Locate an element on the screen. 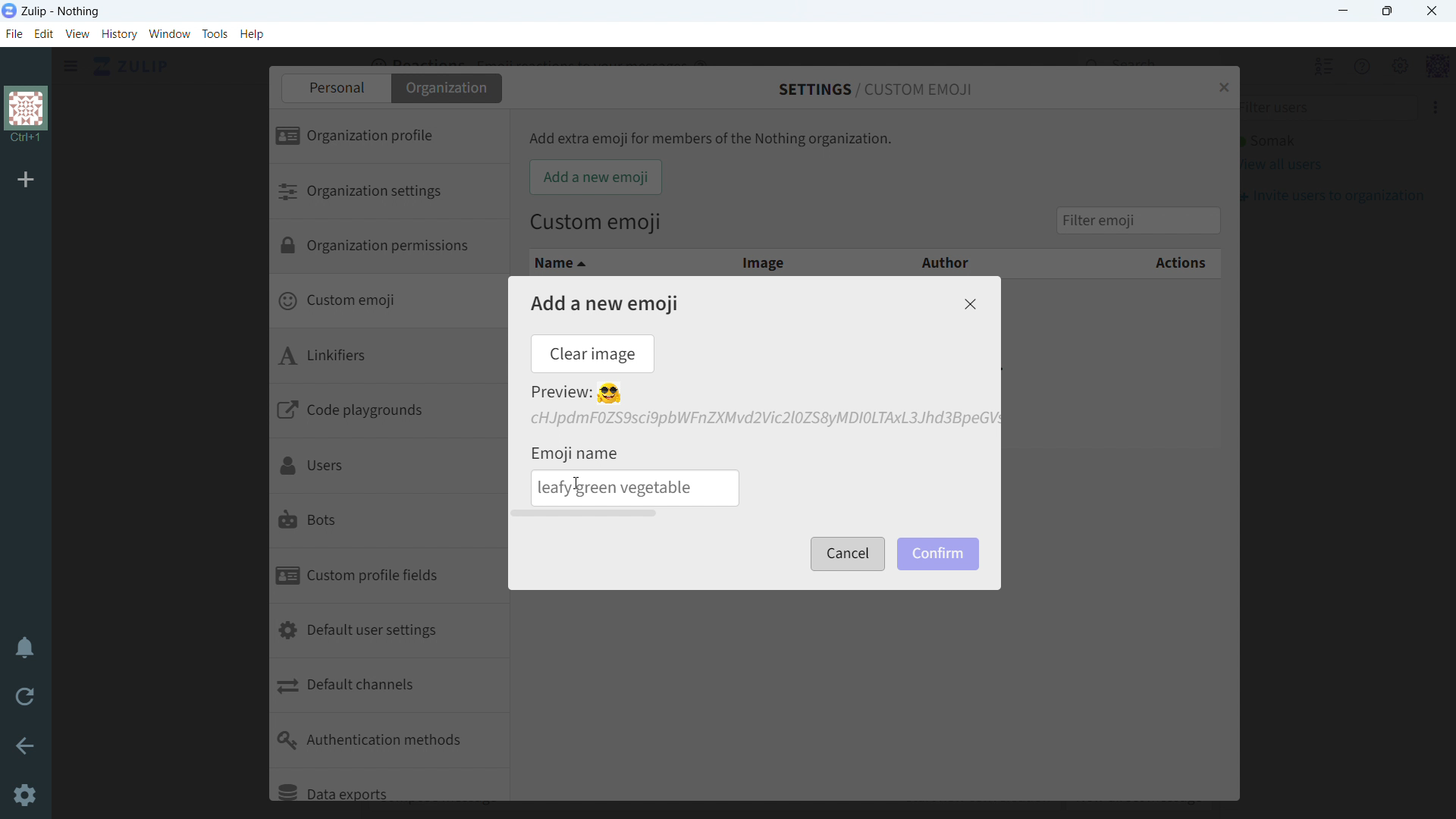  personal menu is located at coordinates (1423, 66).